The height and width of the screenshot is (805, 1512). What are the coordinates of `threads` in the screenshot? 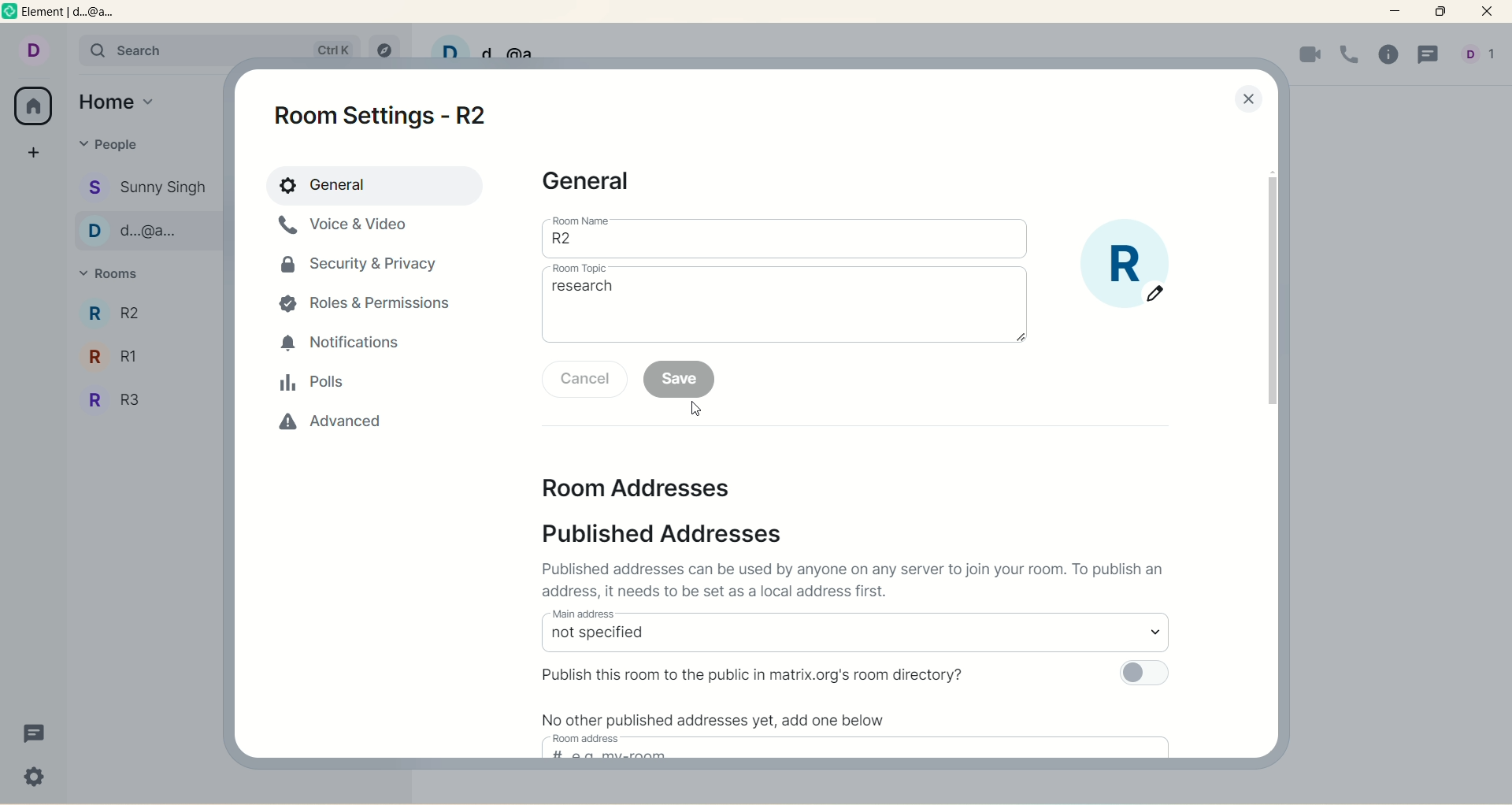 It's located at (35, 735).